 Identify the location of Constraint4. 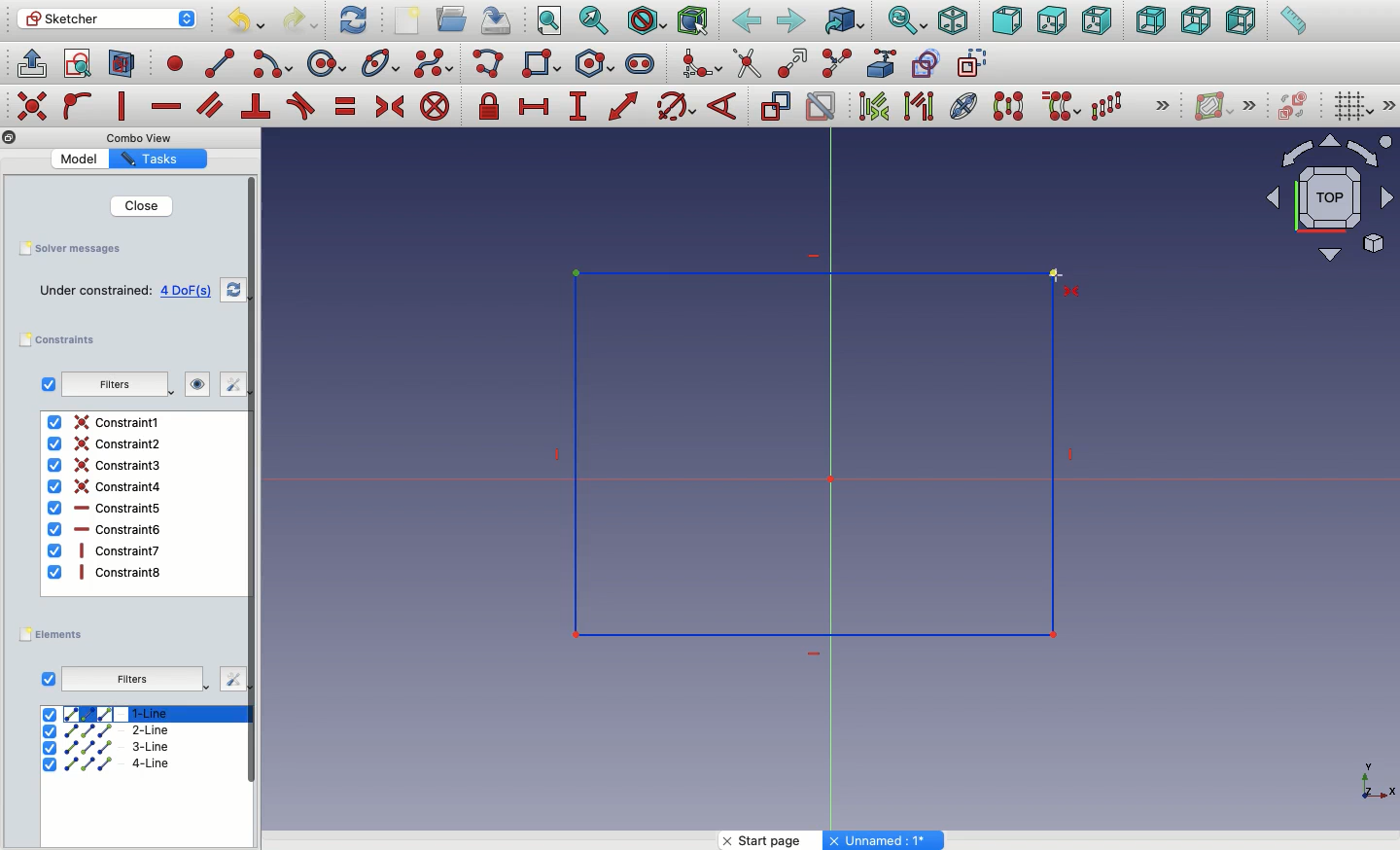
(106, 486).